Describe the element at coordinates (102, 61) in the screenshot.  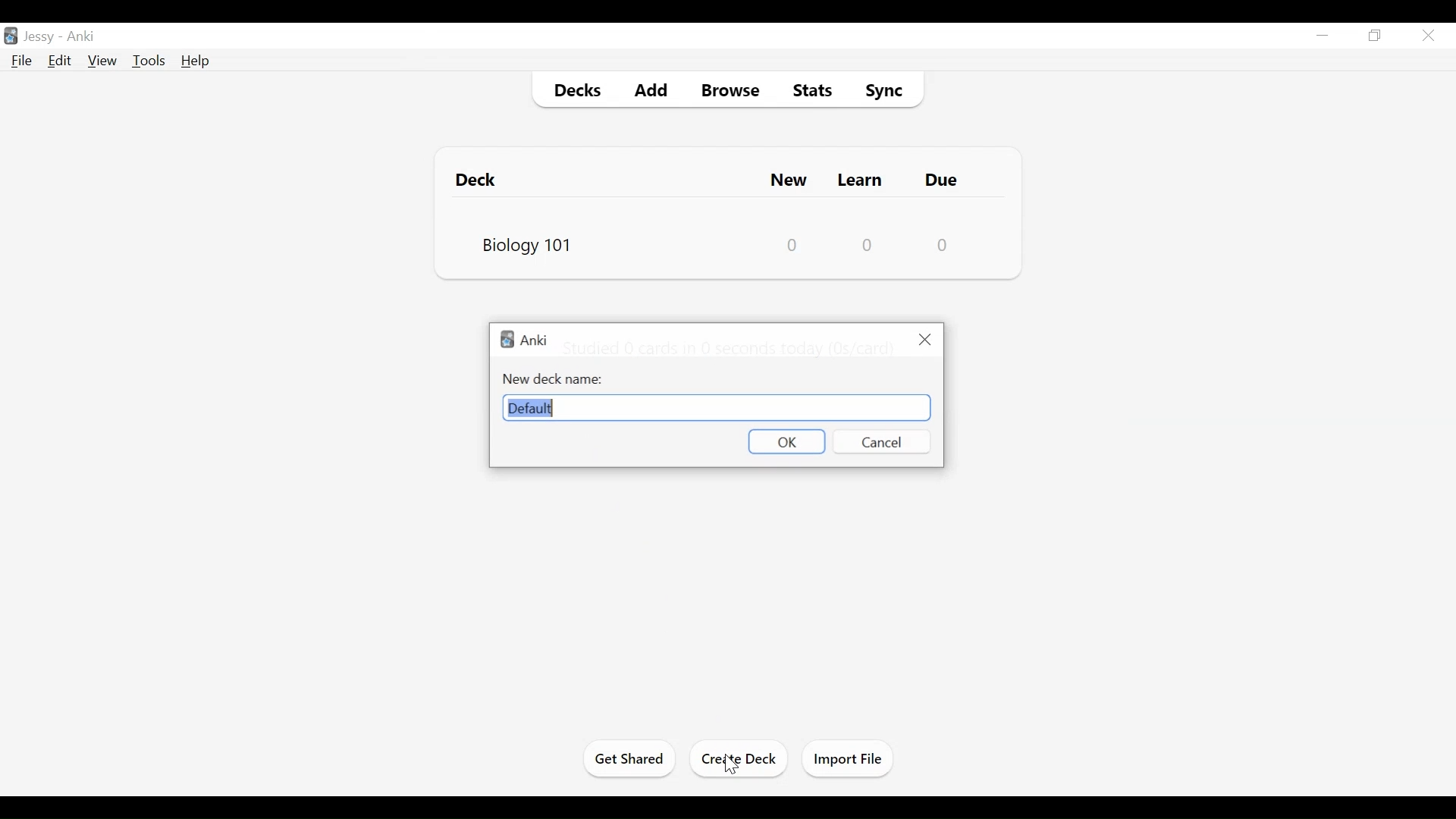
I see `View` at that location.